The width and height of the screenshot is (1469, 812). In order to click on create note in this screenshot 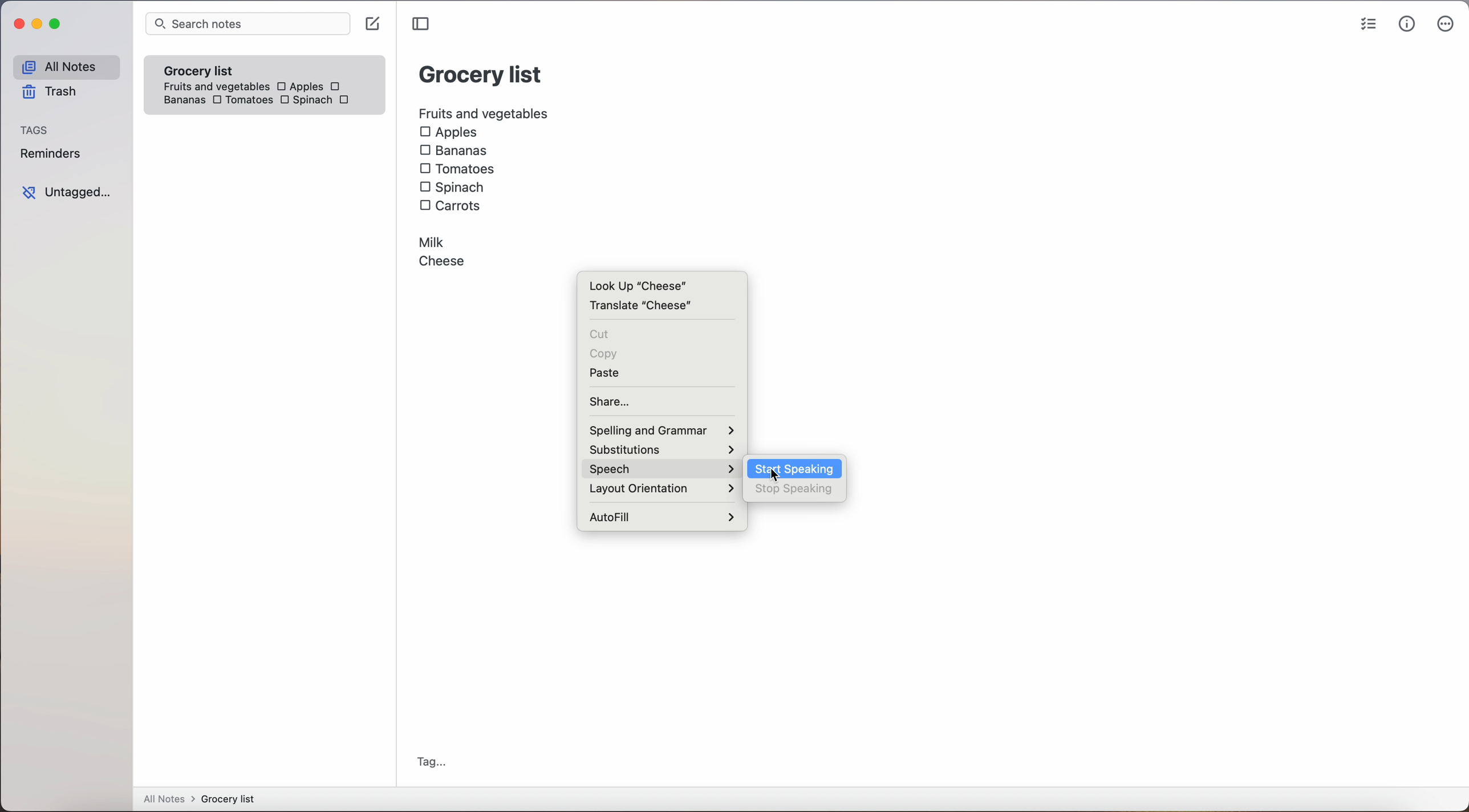, I will do `click(375, 25)`.